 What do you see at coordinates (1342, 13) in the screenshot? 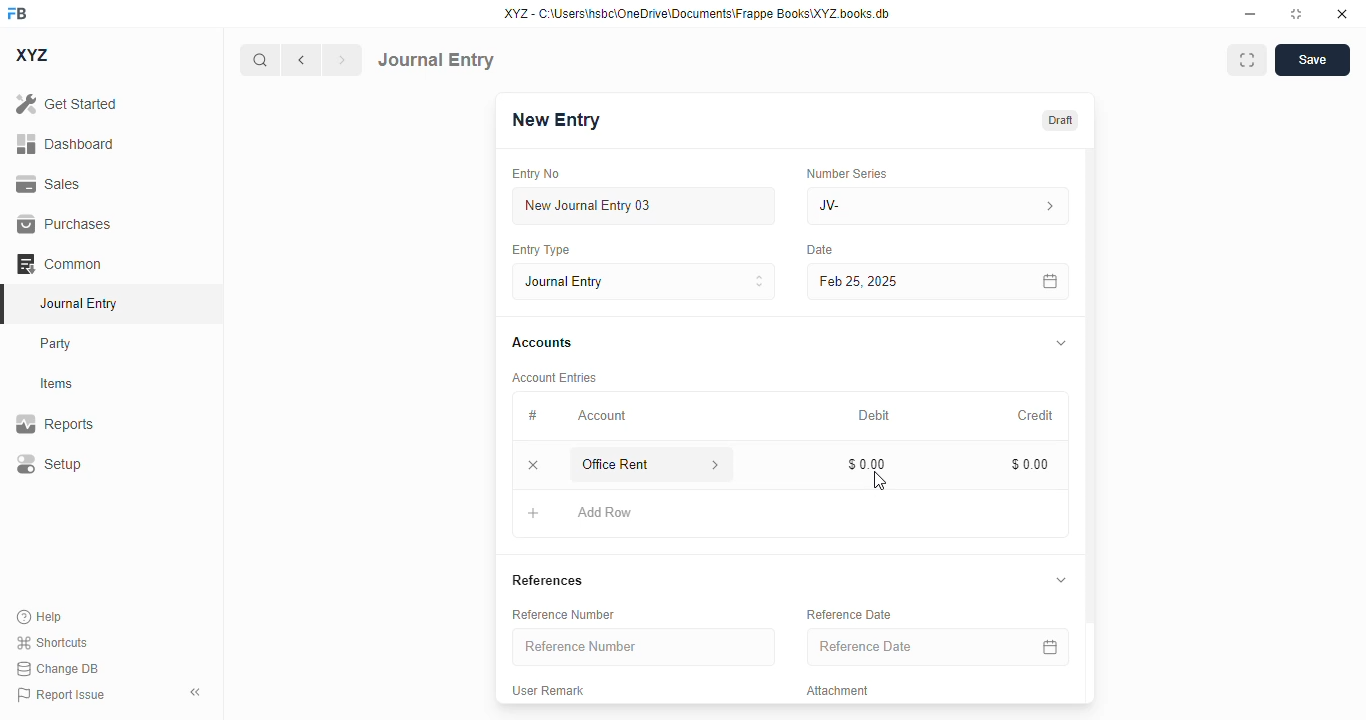
I see `close` at bounding box center [1342, 13].